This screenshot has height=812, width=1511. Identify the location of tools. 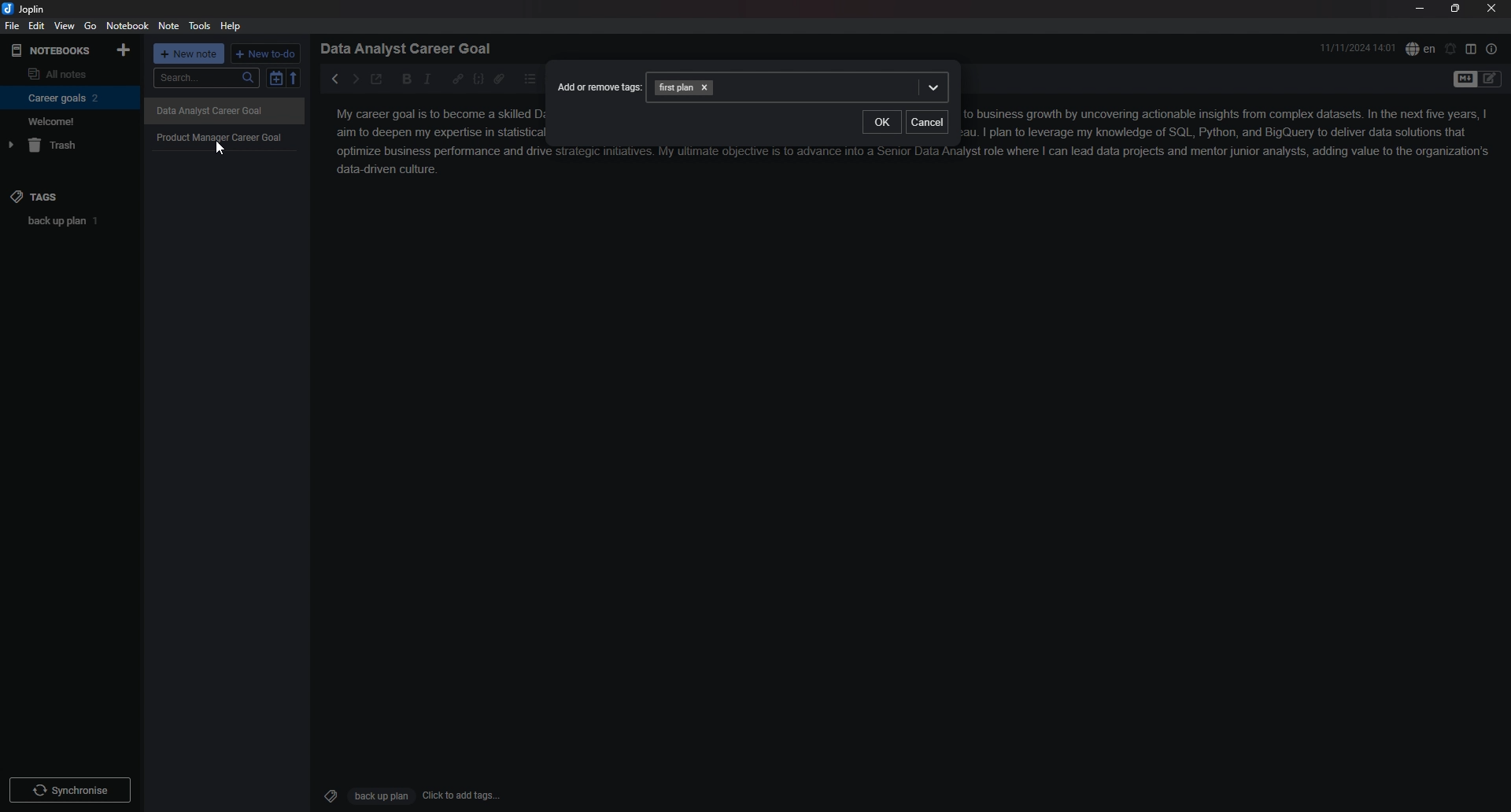
(200, 26).